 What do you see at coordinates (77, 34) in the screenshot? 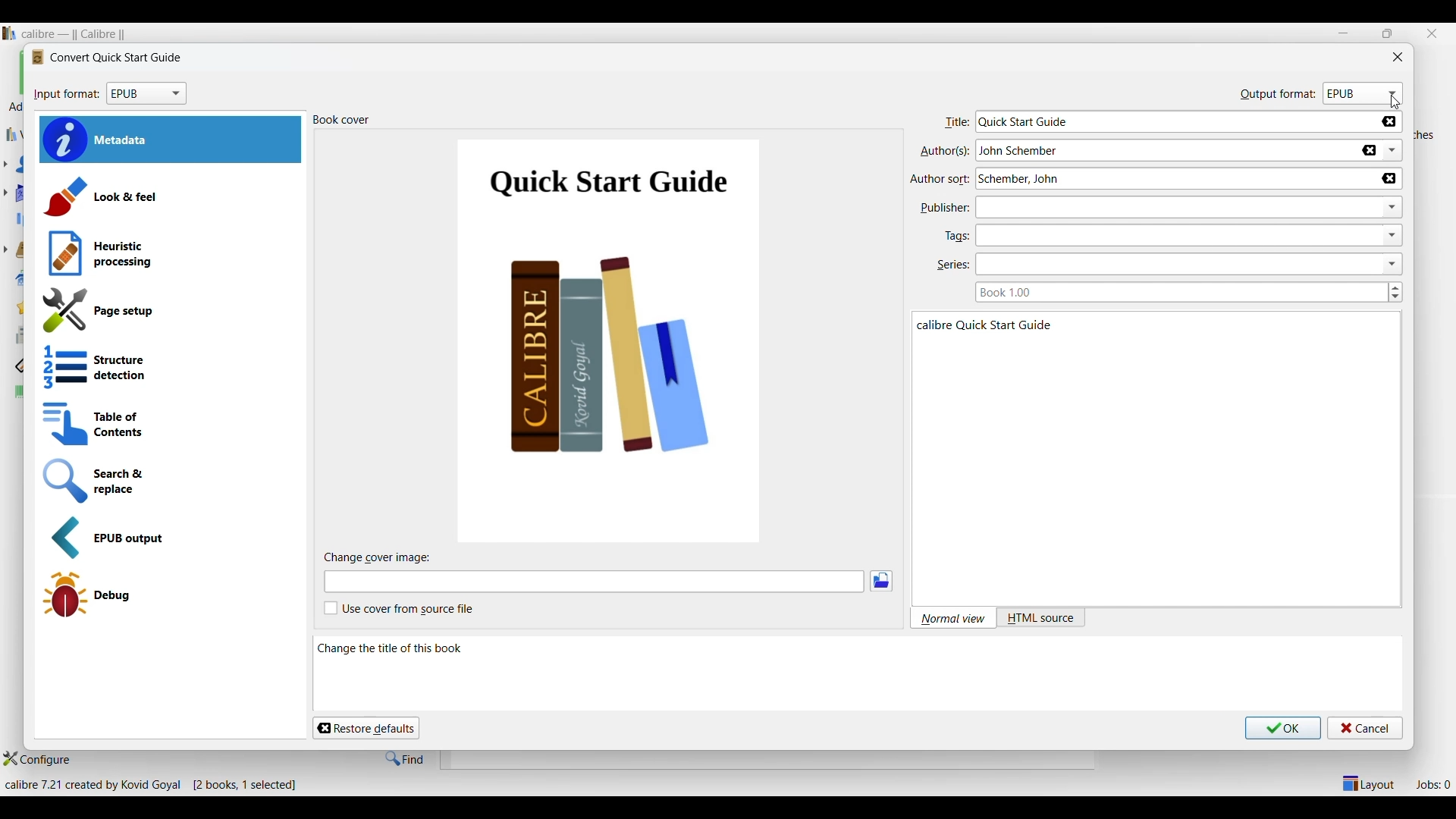
I see `Software name` at bounding box center [77, 34].